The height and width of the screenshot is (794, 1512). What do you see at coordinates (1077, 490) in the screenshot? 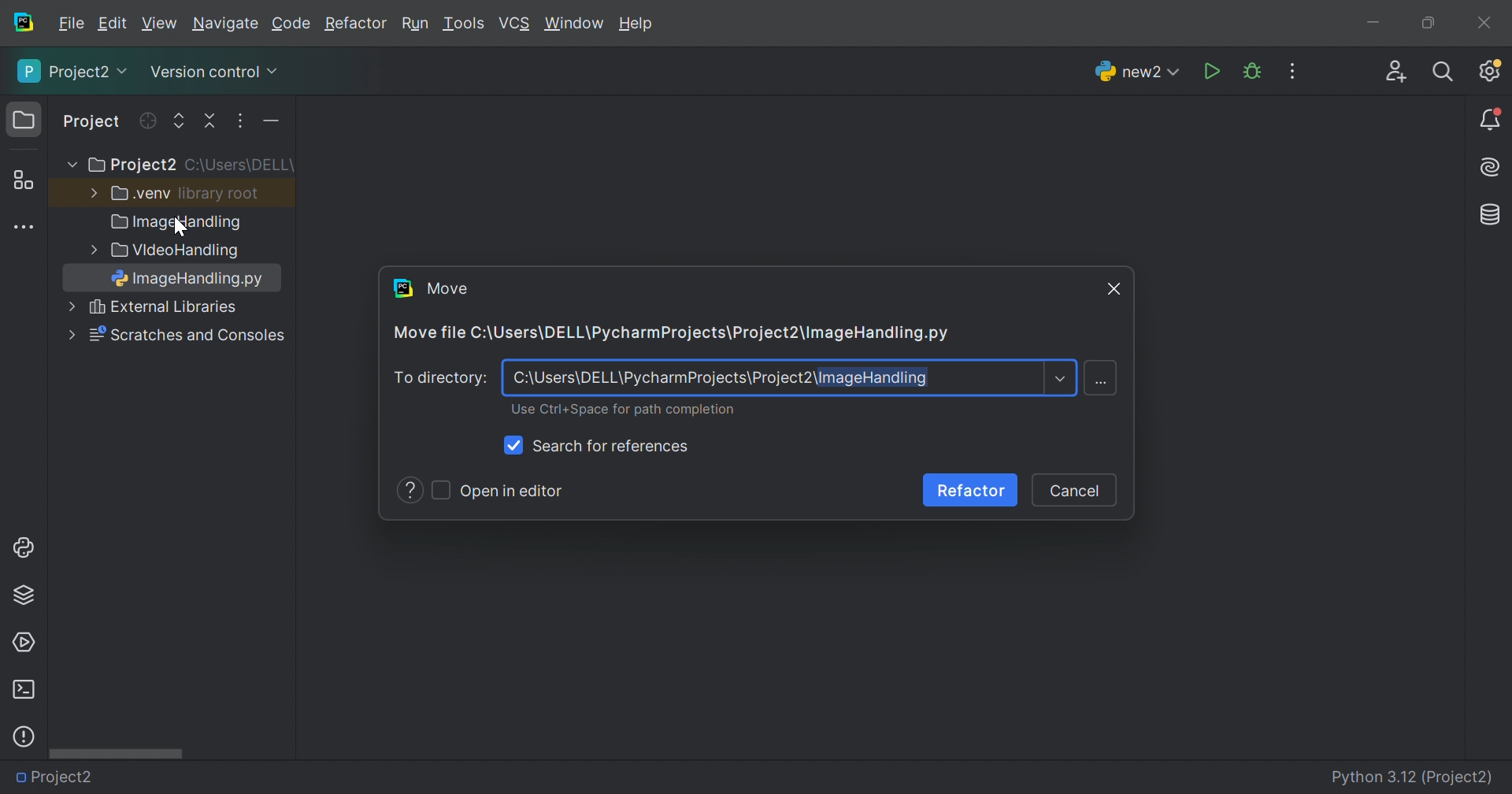
I see `Cancel` at bounding box center [1077, 490].